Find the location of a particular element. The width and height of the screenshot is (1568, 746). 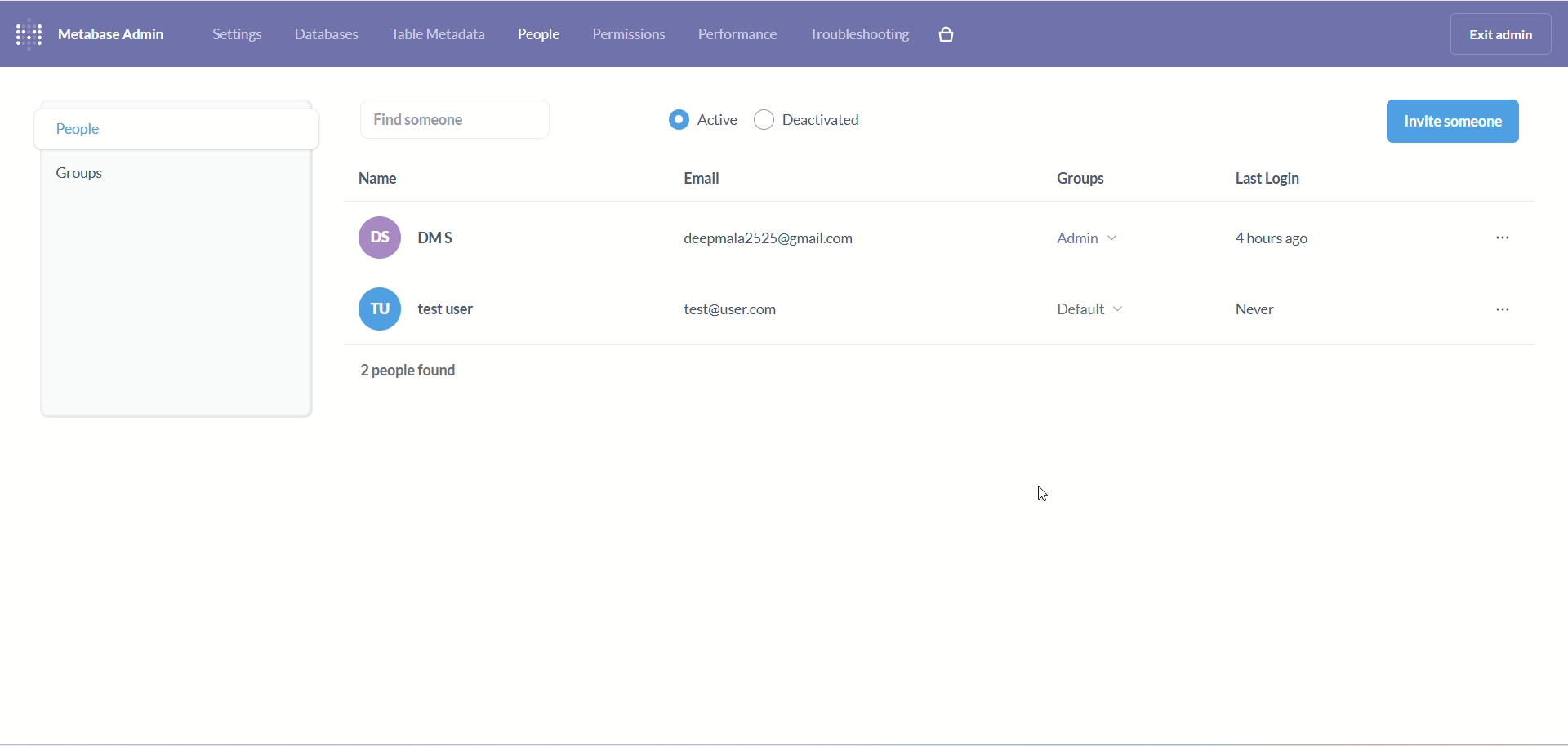

paid features is located at coordinates (948, 34).